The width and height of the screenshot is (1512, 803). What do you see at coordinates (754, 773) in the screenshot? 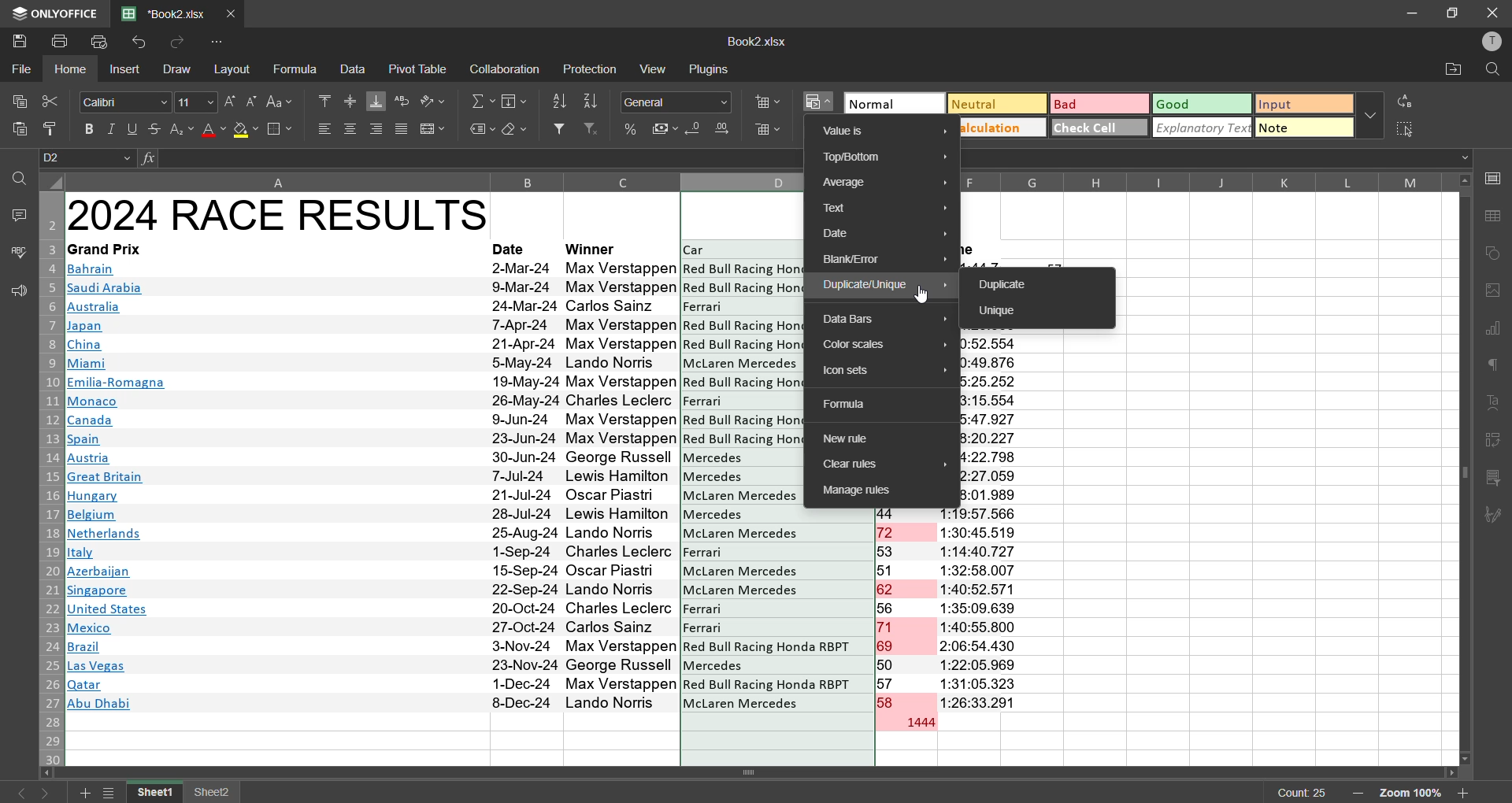
I see `scrollbar` at bounding box center [754, 773].